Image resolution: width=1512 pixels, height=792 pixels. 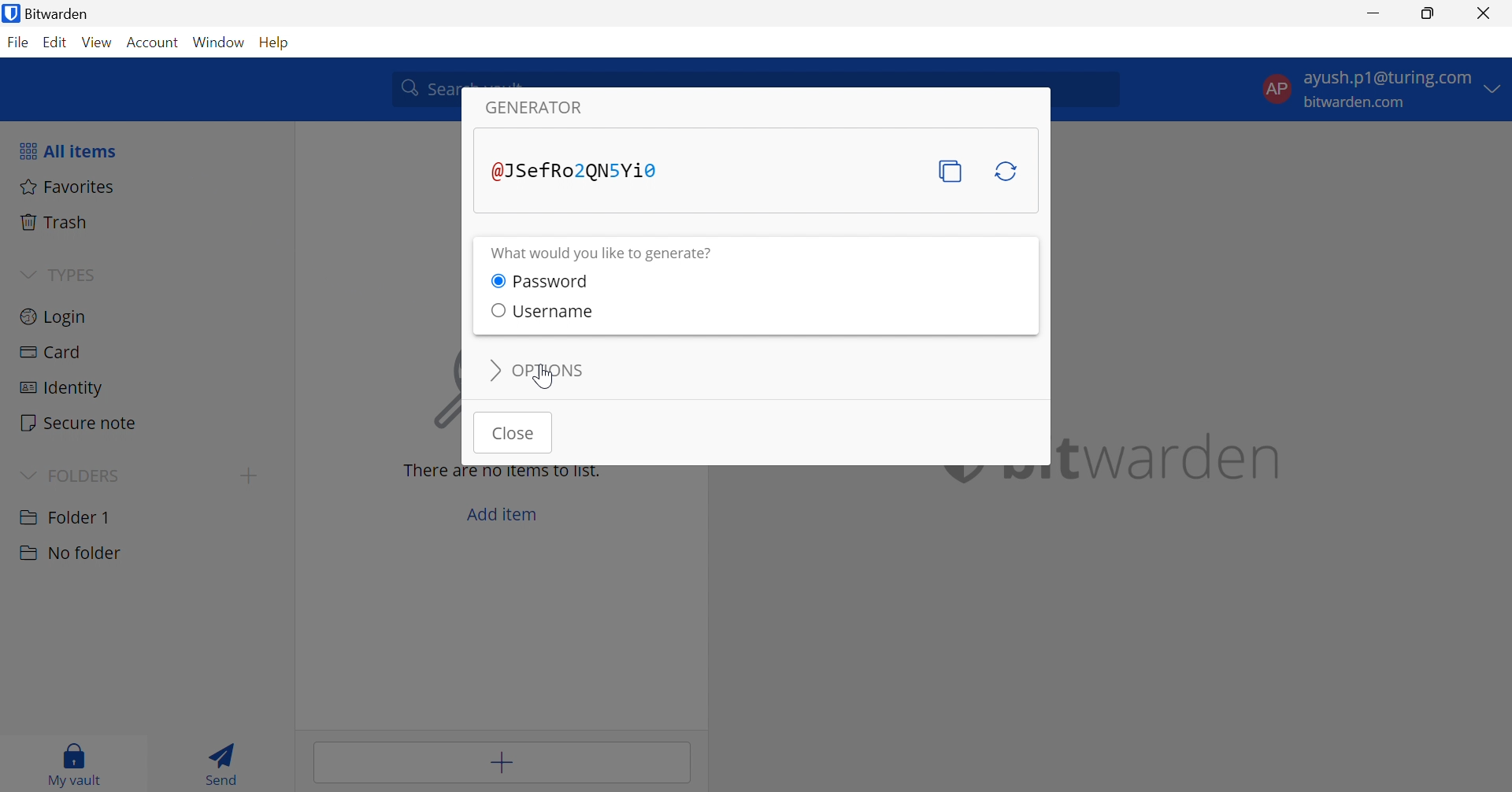 What do you see at coordinates (80, 423) in the screenshot?
I see `Secure note` at bounding box center [80, 423].